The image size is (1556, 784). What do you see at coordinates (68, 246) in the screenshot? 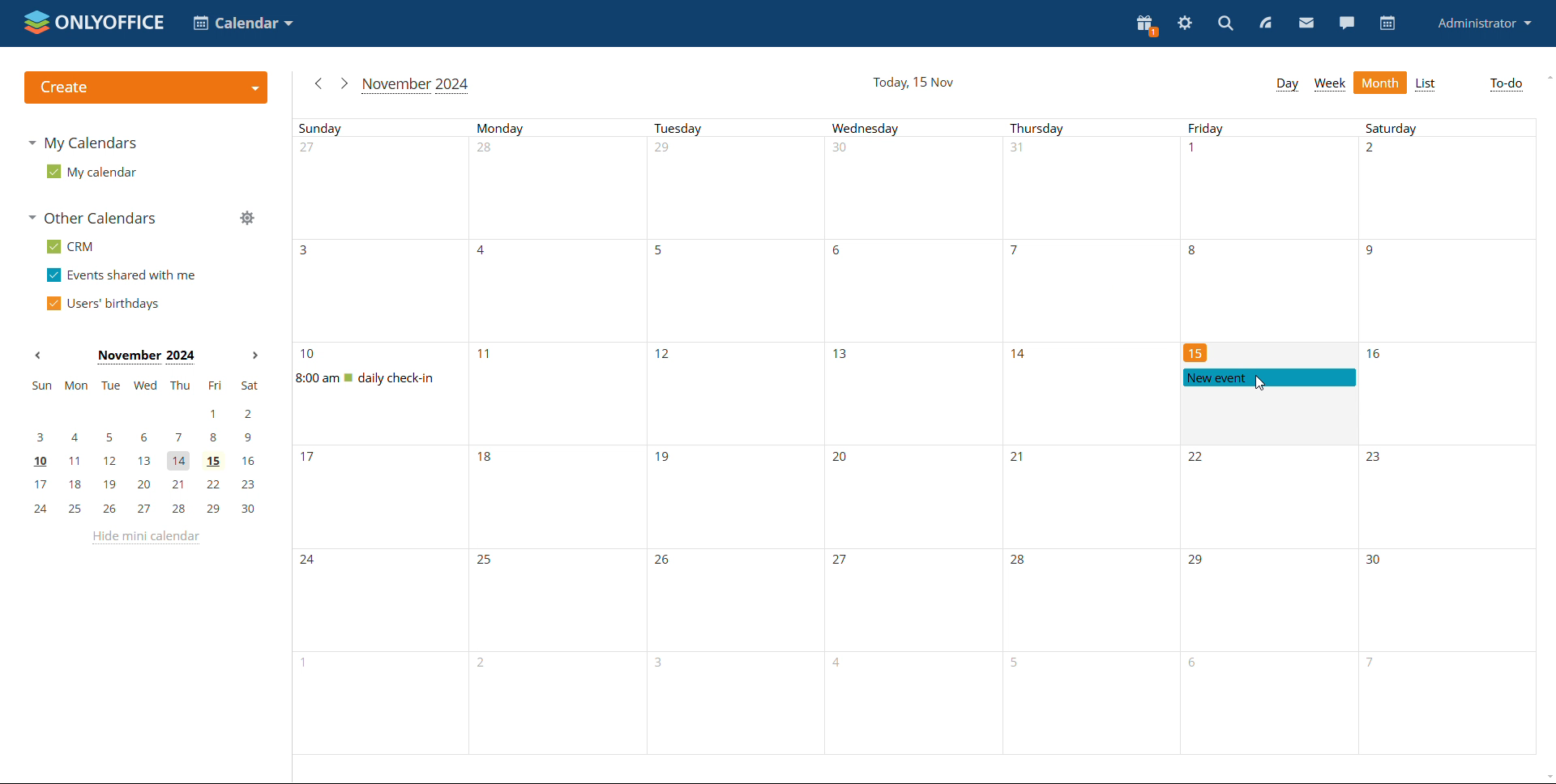
I see `crm` at bounding box center [68, 246].